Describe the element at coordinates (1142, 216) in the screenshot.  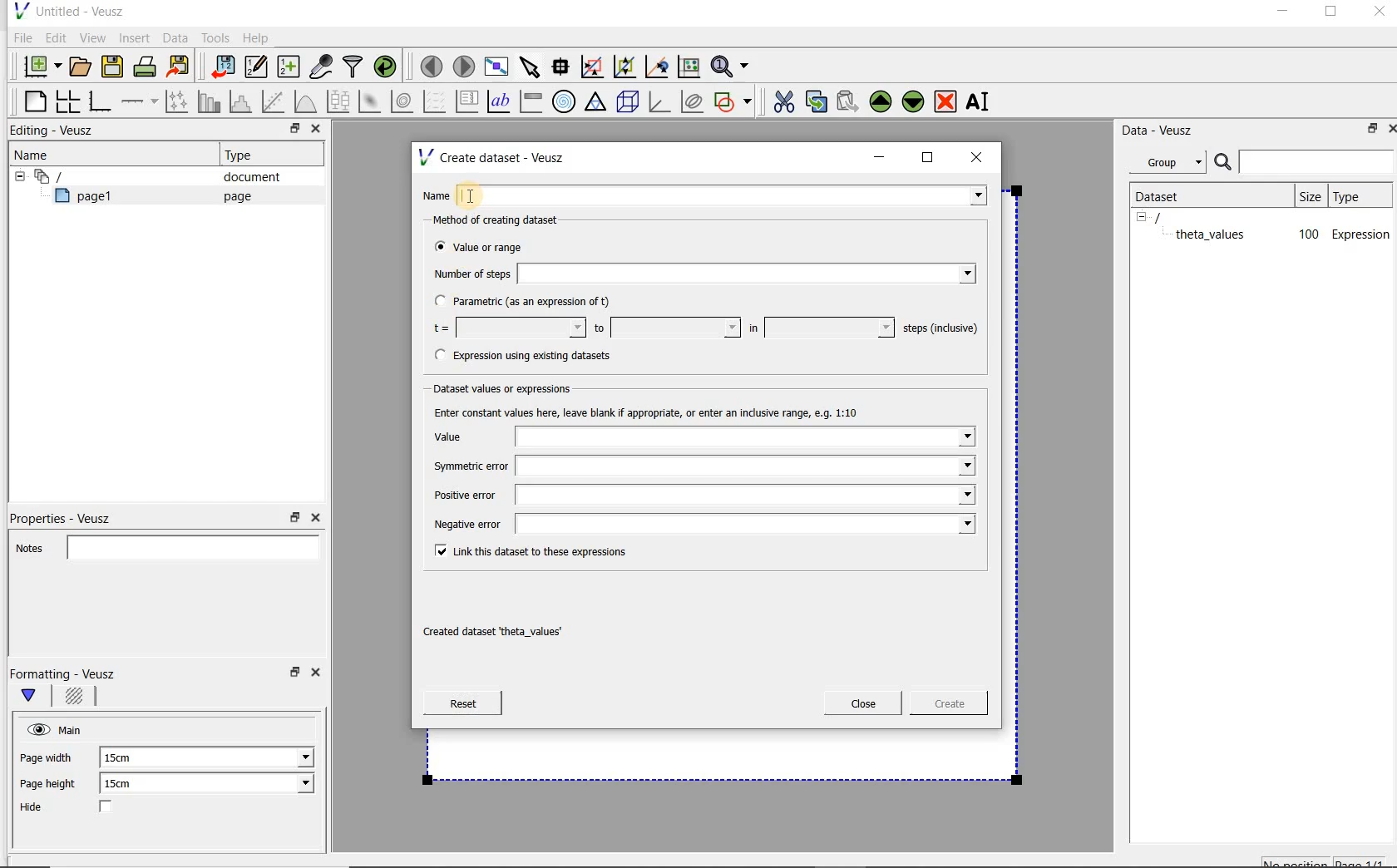
I see `hide sub menu` at that location.